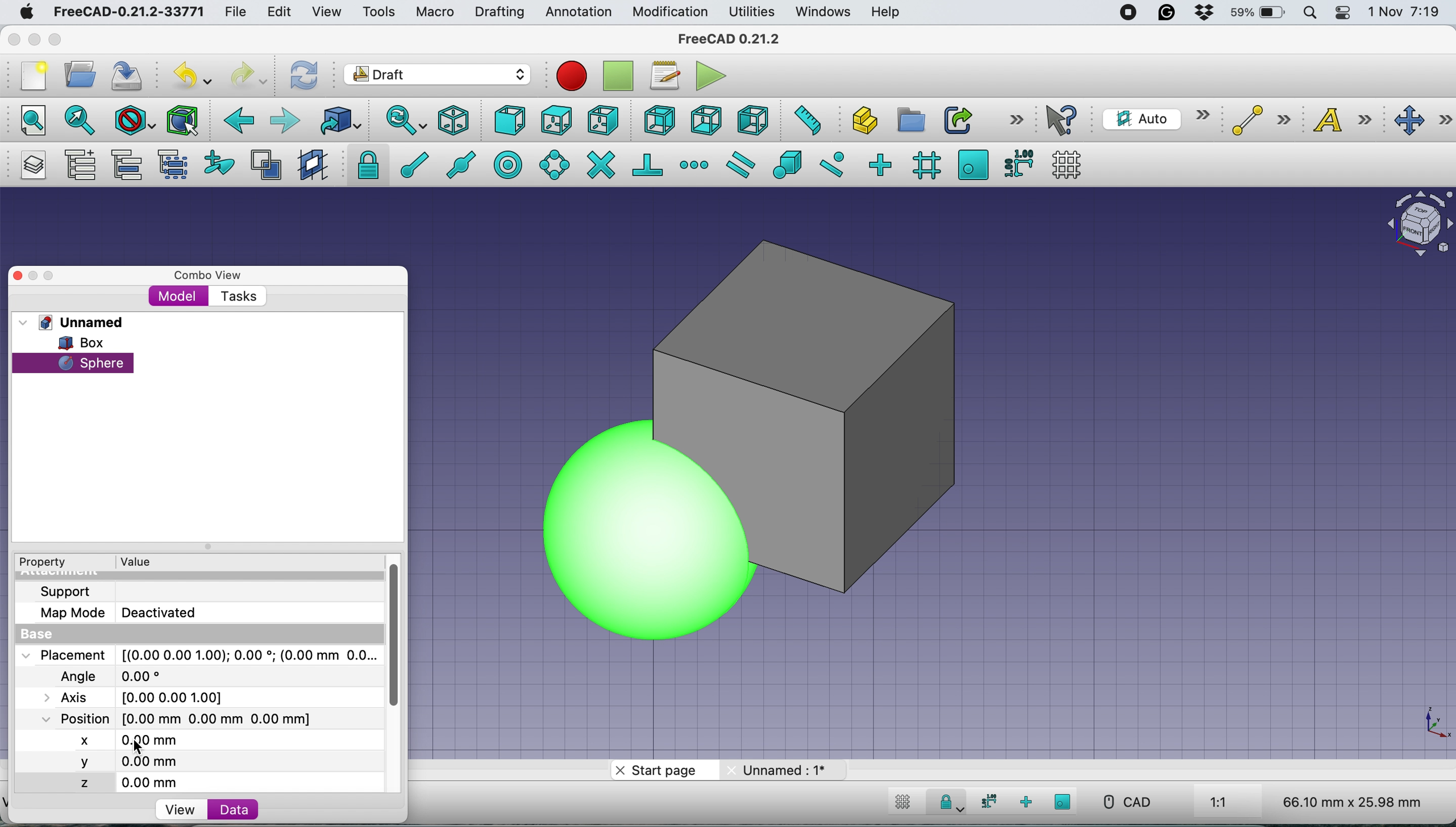 The height and width of the screenshot is (827, 1456). What do you see at coordinates (237, 297) in the screenshot?
I see `tasks` at bounding box center [237, 297].